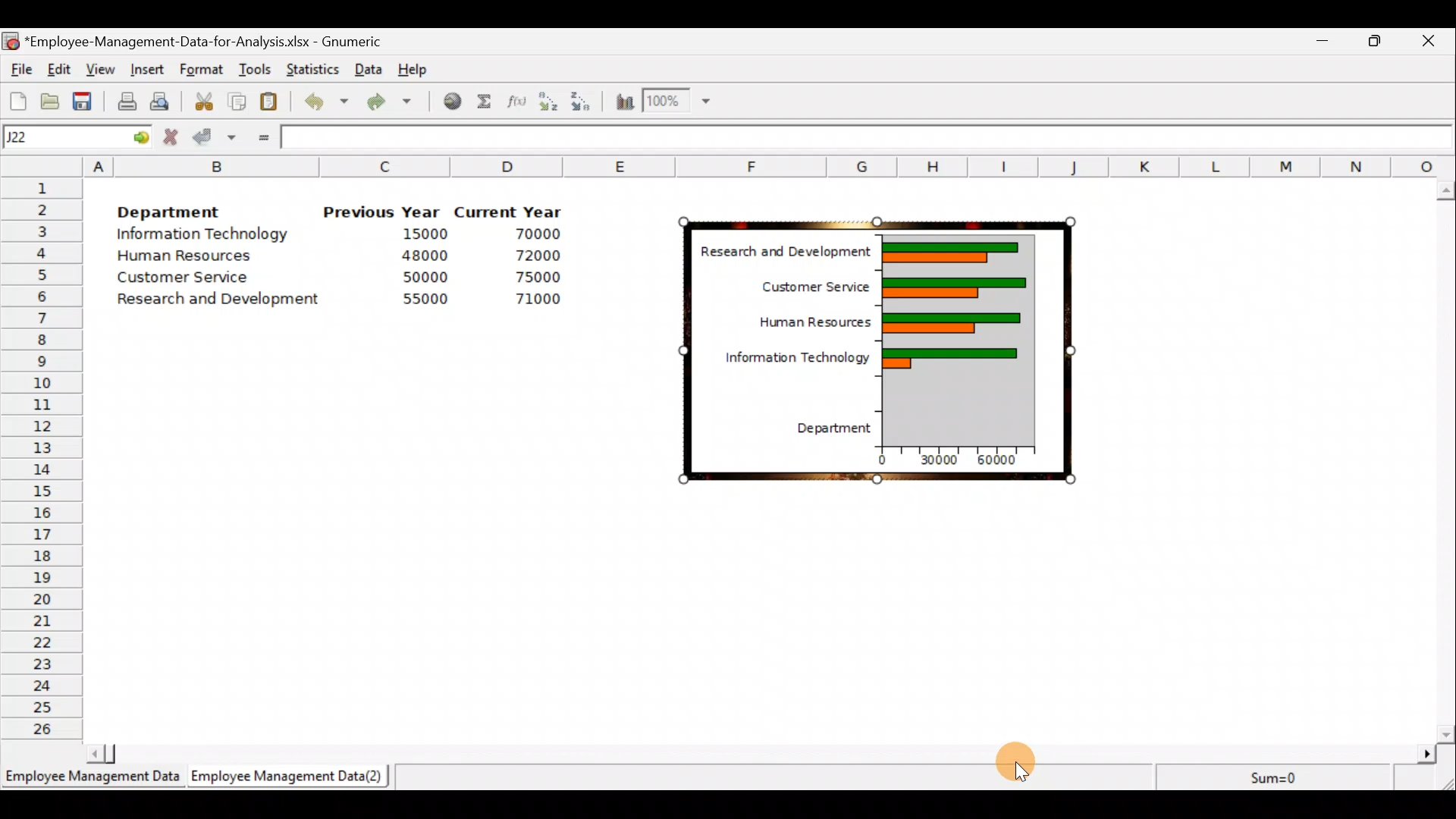 Image resolution: width=1456 pixels, height=819 pixels. I want to click on Print preview, so click(161, 101).